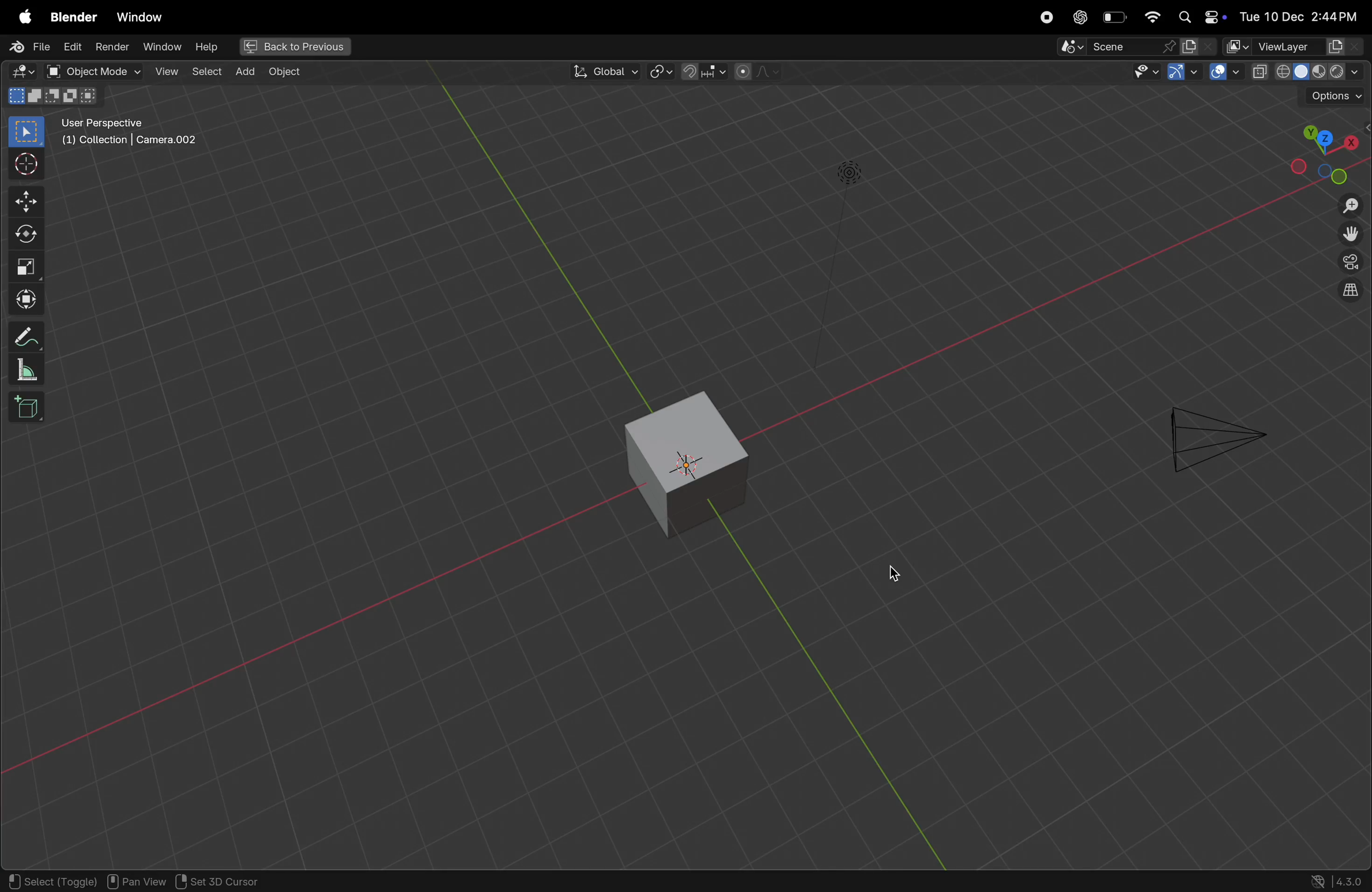  I want to click on battery, so click(1115, 17).